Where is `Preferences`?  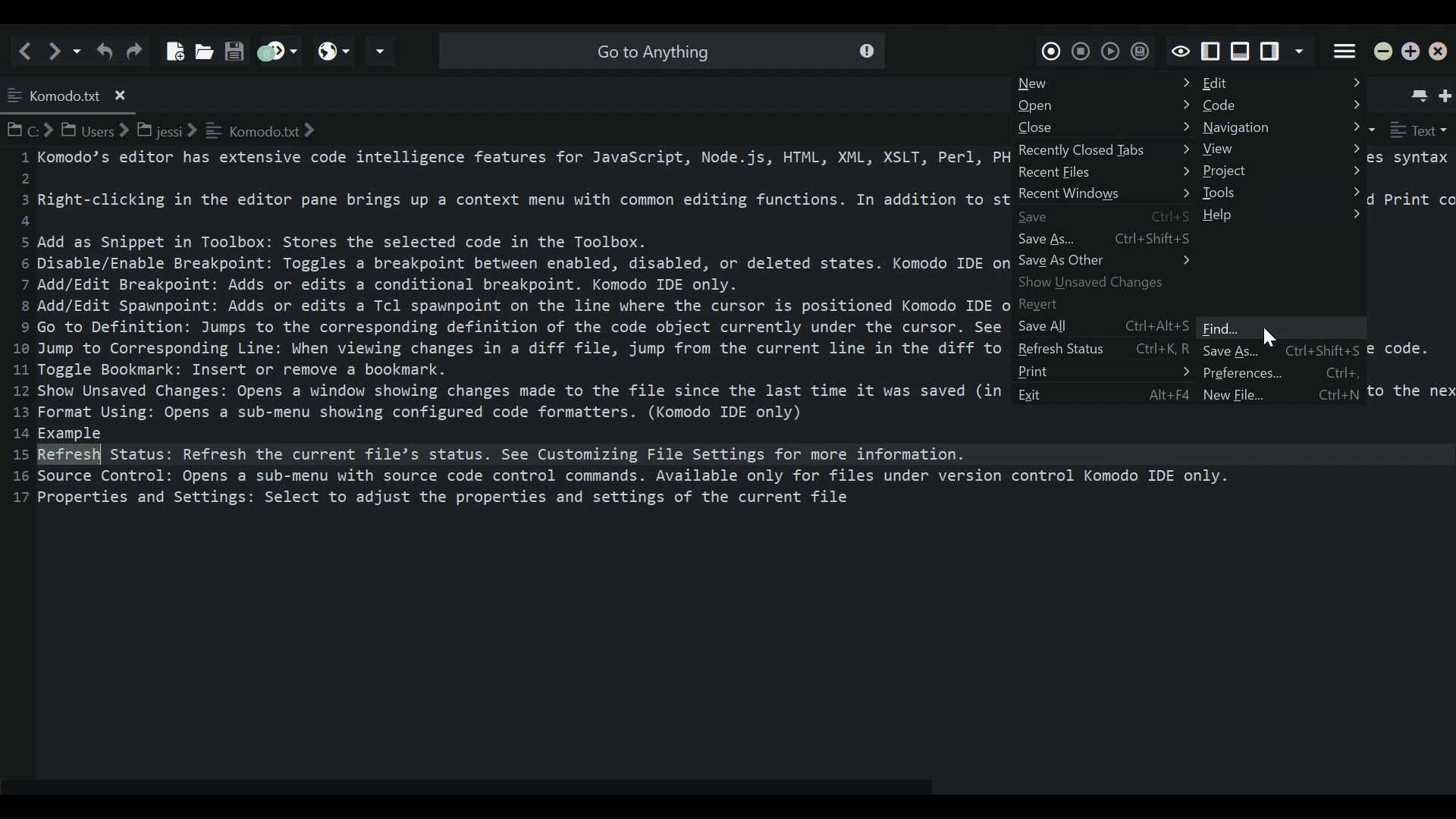 Preferences is located at coordinates (1285, 374).